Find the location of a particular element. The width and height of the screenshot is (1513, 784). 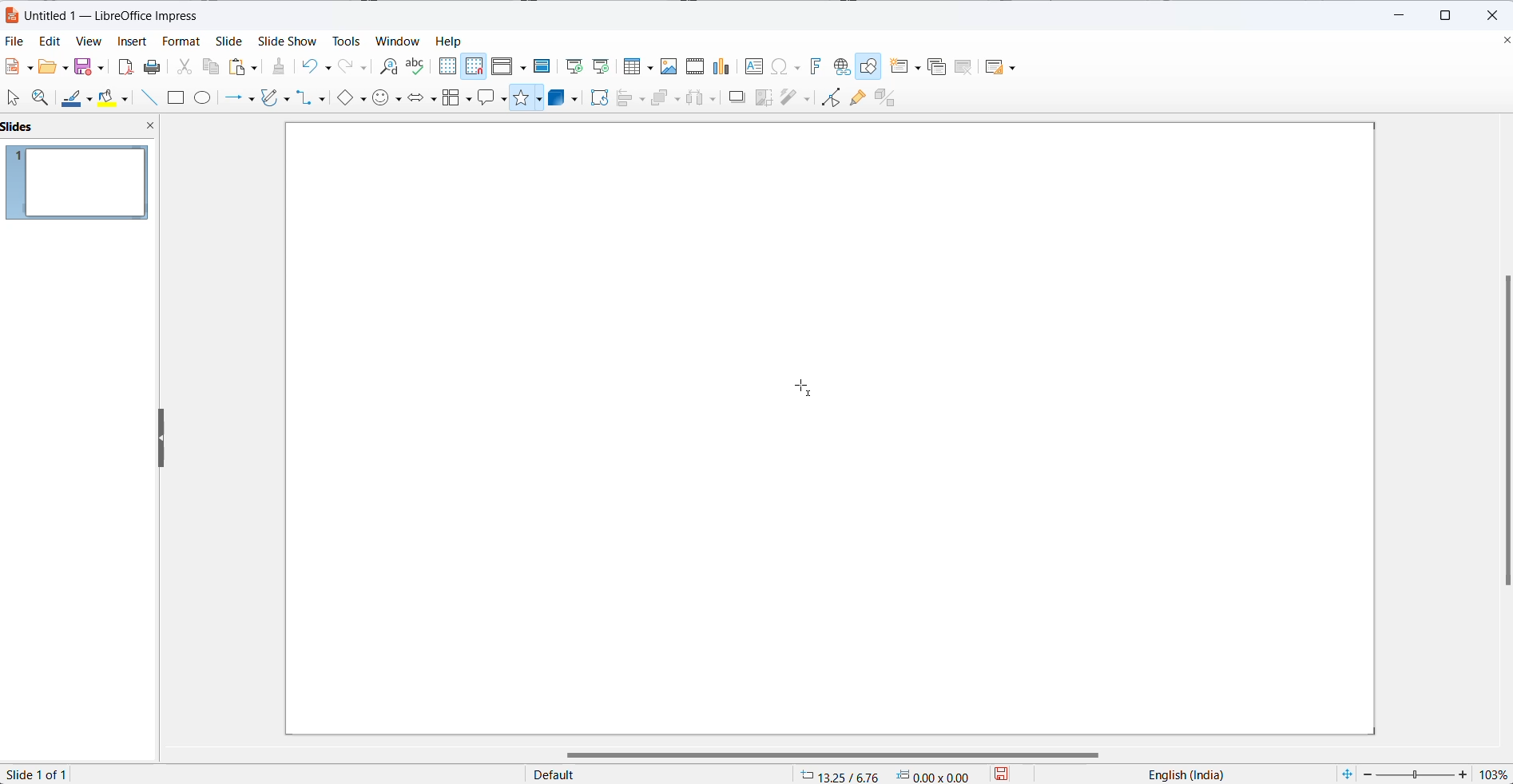

DUPLICATE SLIDE is located at coordinates (937, 69).